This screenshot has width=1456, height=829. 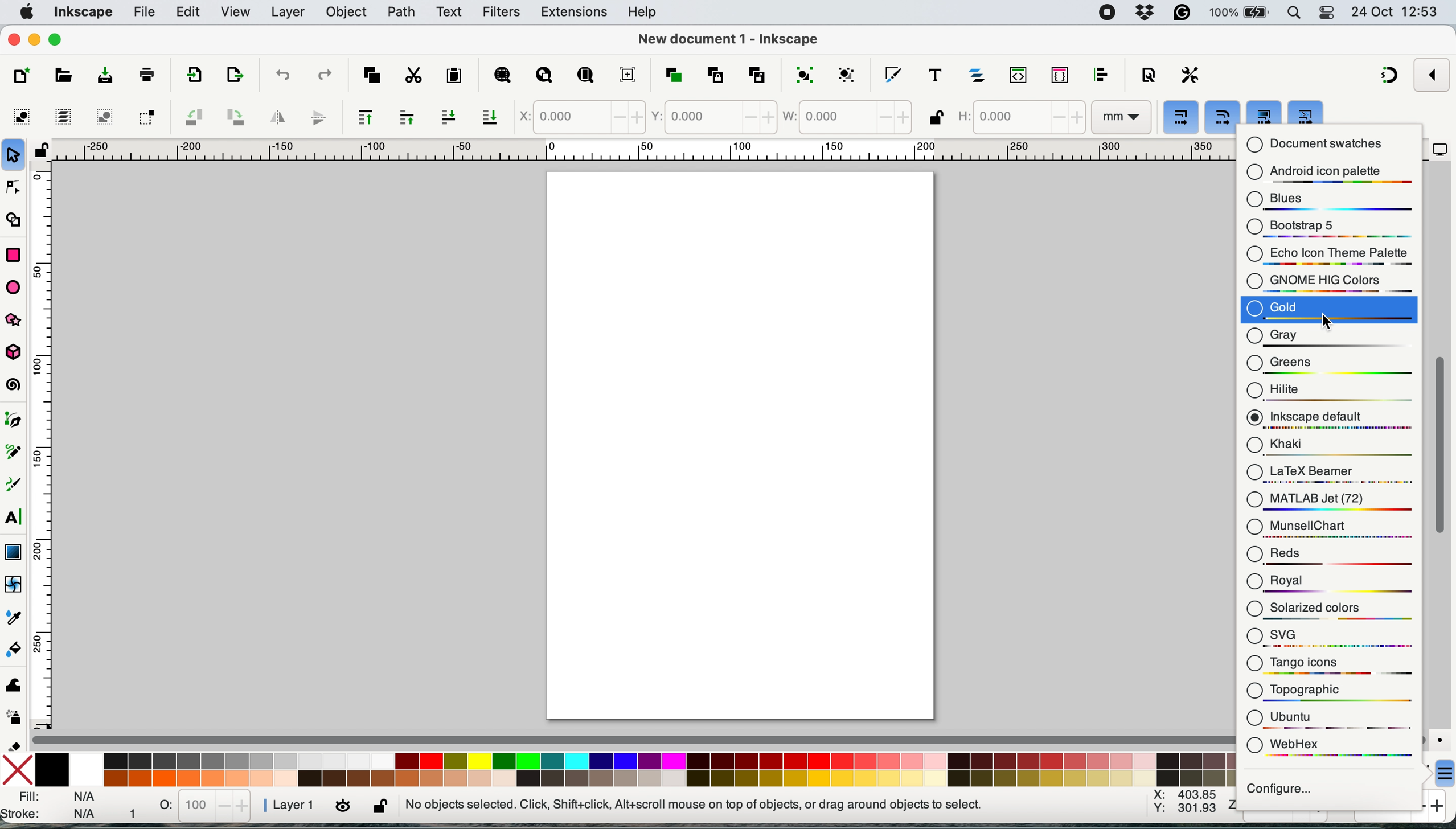 I want to click on layer 1, so click(x=288, y=805).